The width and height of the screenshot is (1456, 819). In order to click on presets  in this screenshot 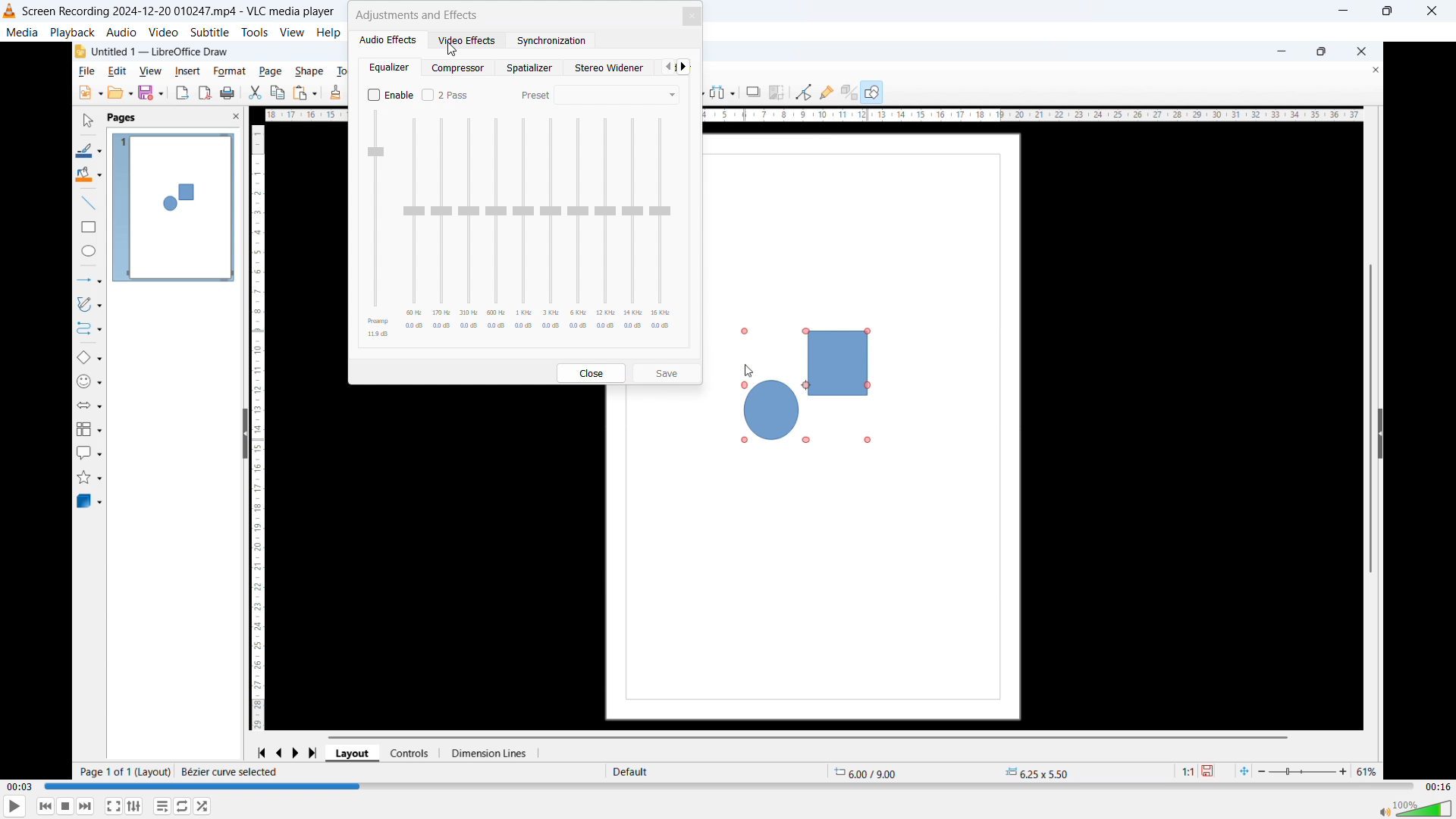, I will do `click(617, 95)`.